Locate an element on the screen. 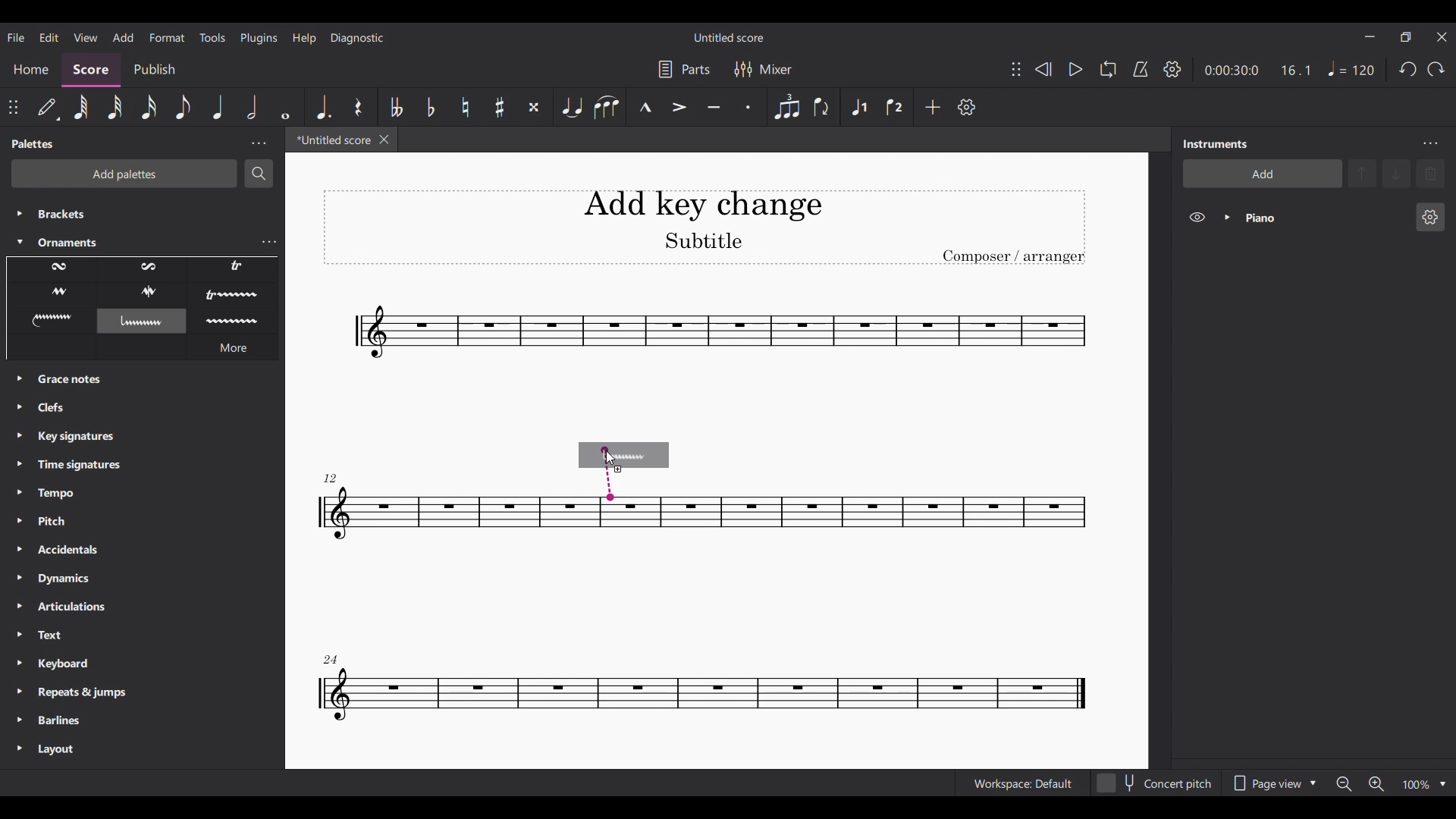 The width and height of the screenshot is (1456, 819). default is located at coordinates (47, 107).